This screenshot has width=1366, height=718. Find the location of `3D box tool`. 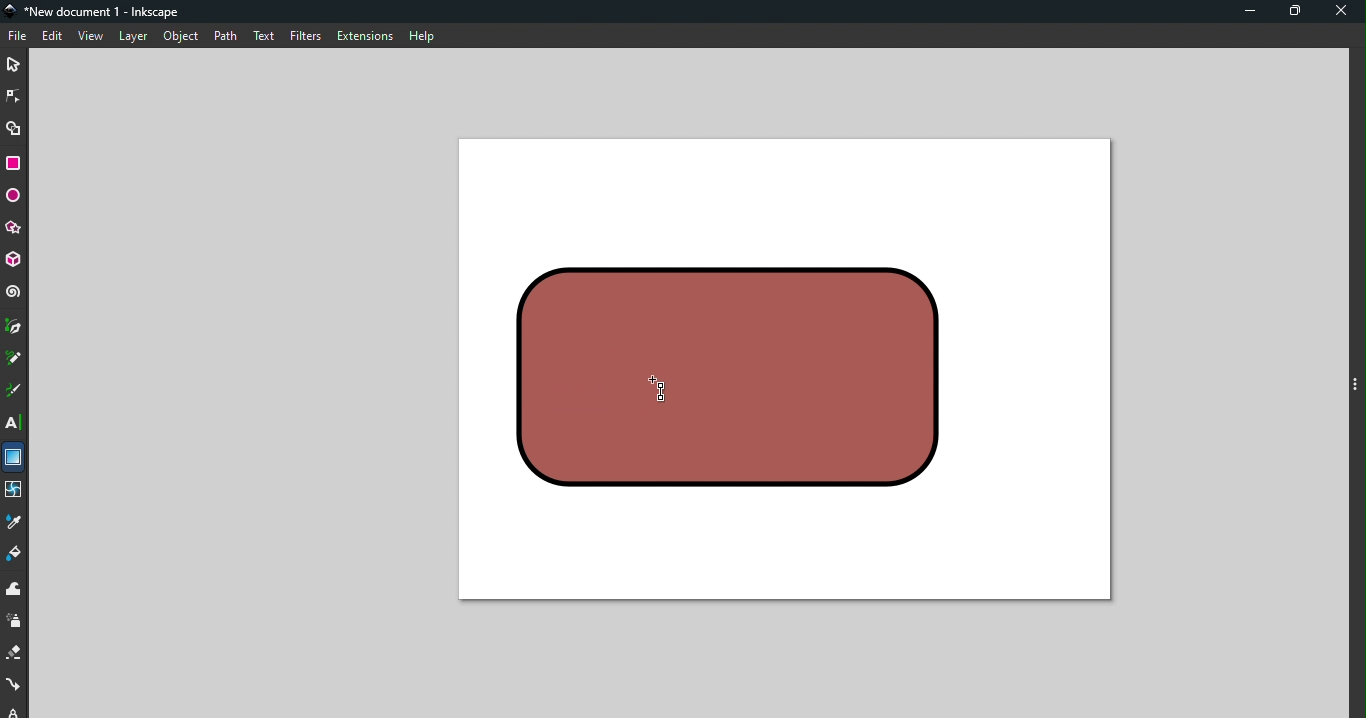

3D box tool is located at coordinates (15, 260).